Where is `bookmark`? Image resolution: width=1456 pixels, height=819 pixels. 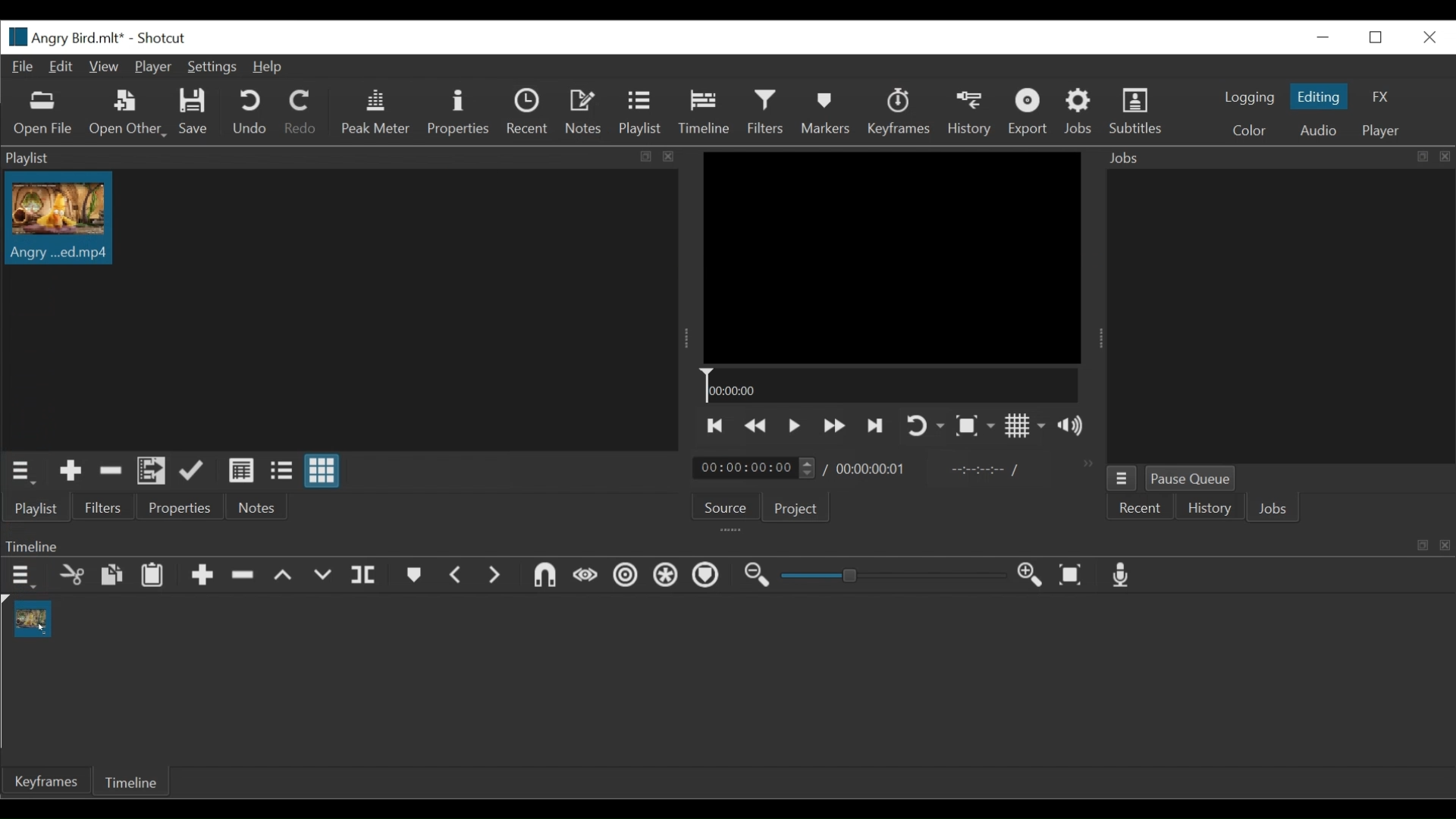
bookmark is located at coordinates (414, 577).